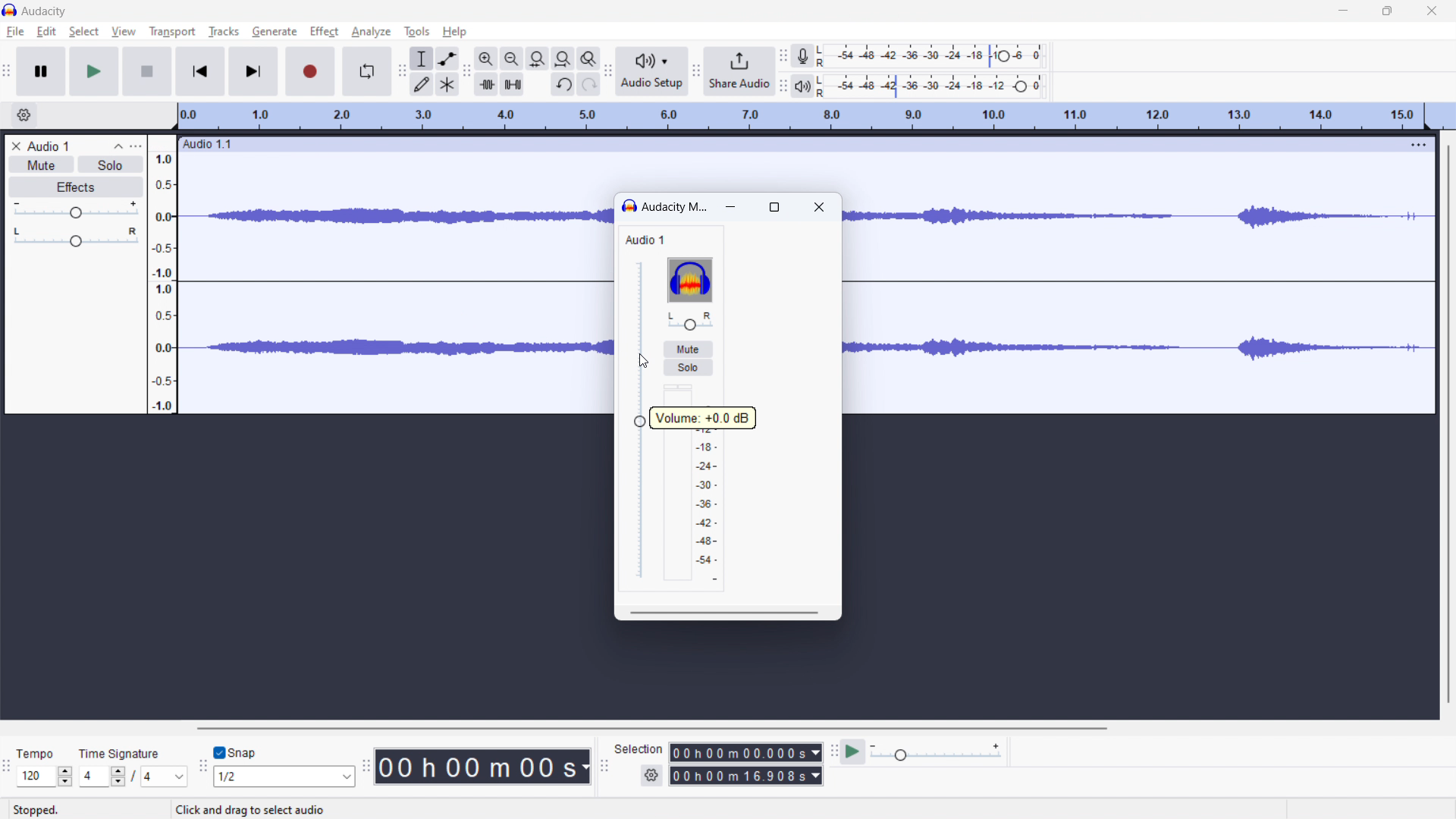 The image size is (1456, 819). What do you see at coordinates (803, 86) in the screenshot?
I see `playback meter` at bounding box center [803, 86].